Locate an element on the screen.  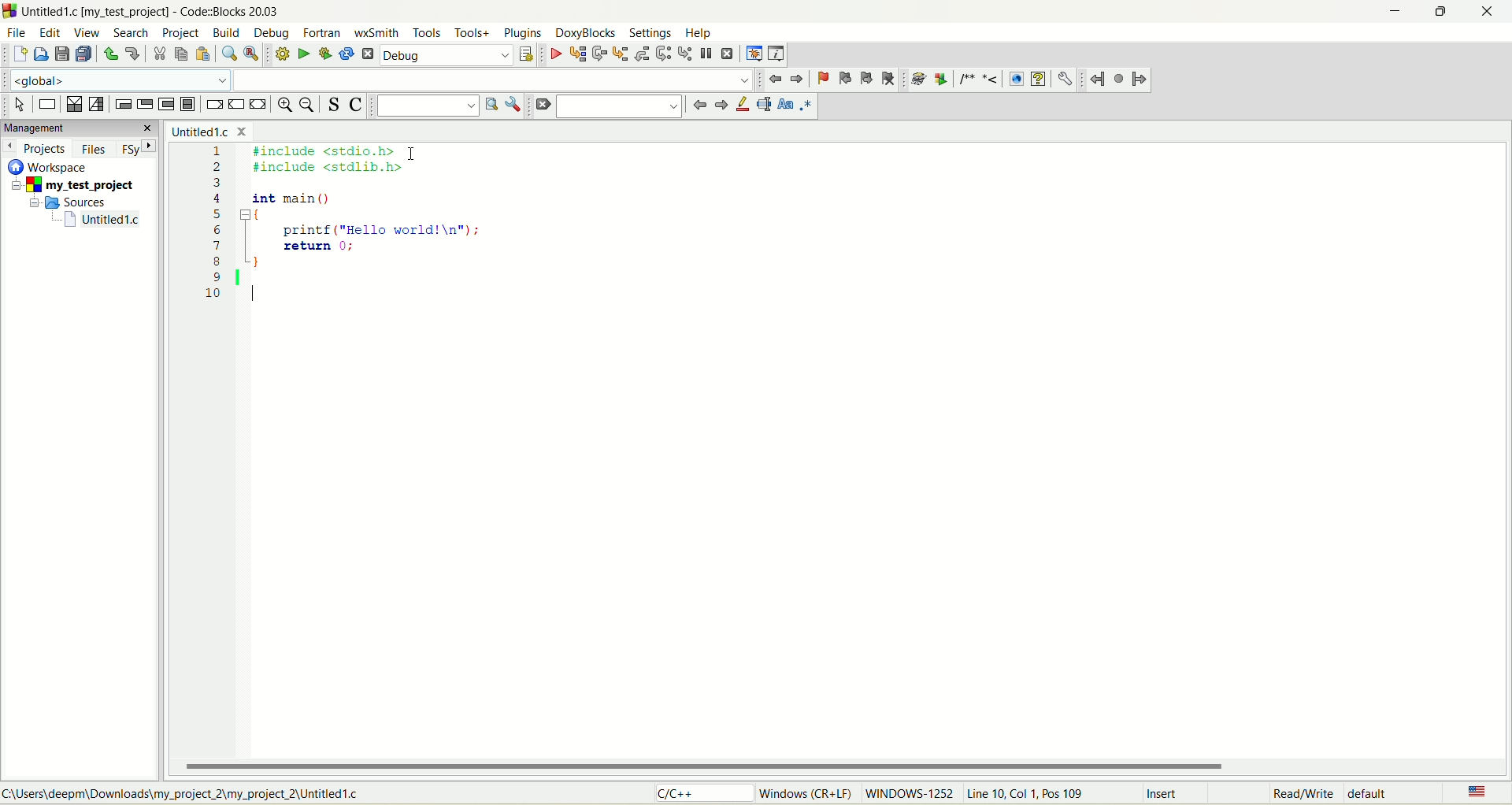
search is located at coordinates (622, 108).